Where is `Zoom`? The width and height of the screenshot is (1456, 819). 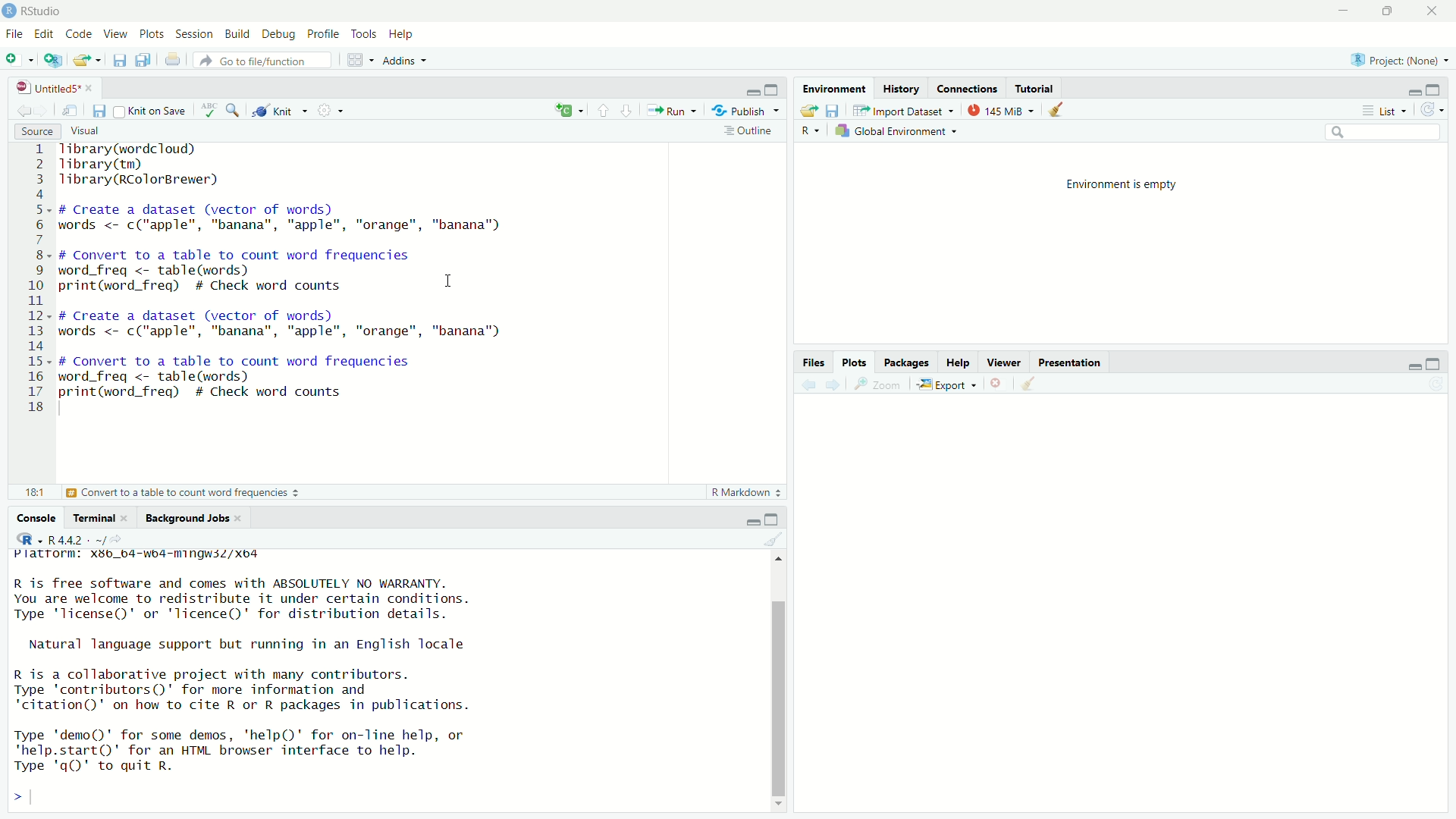
Zoom is located at coordinates (878, 384).